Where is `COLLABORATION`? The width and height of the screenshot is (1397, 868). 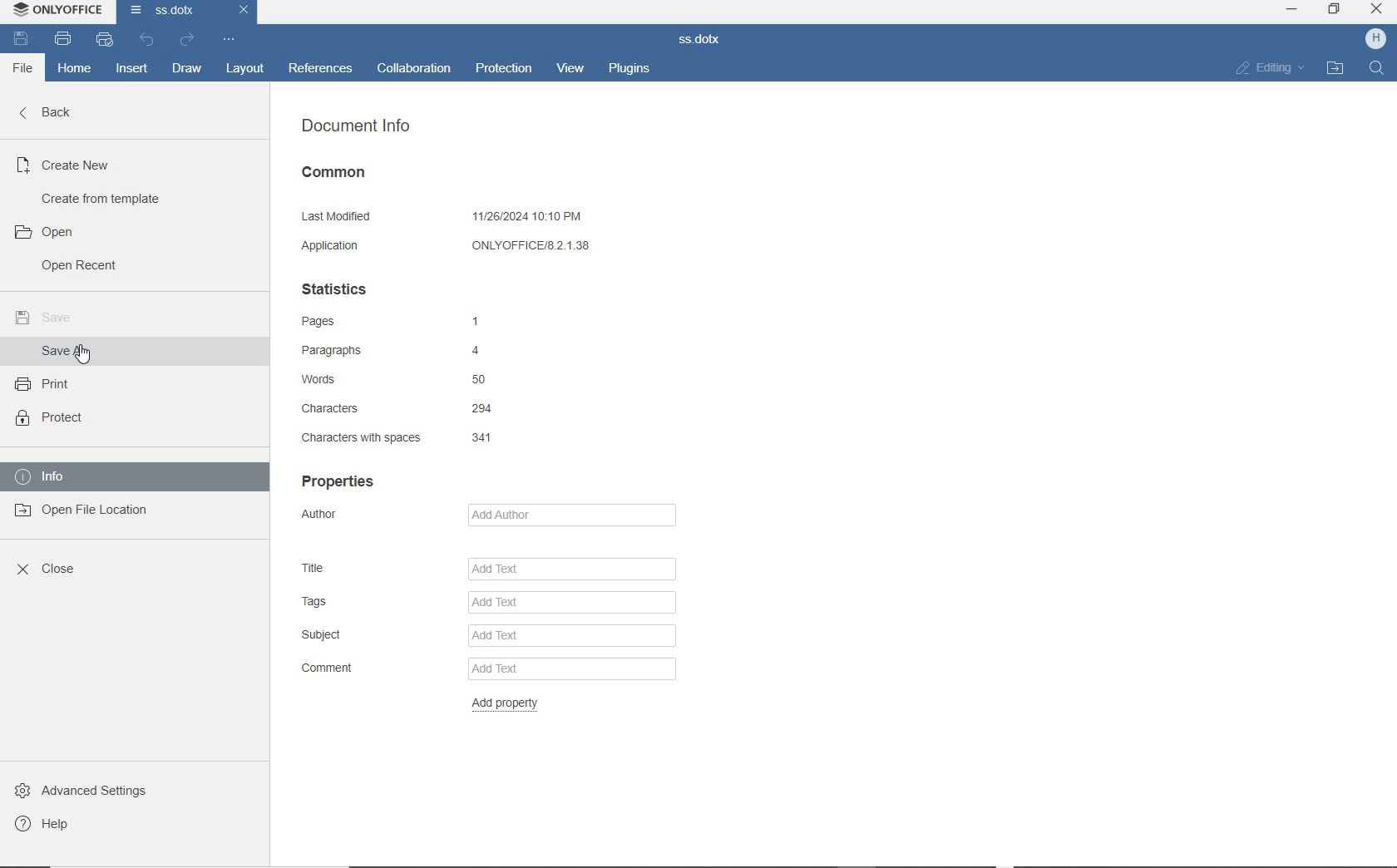
COLLABORATION is located at coordinates (415, 67).